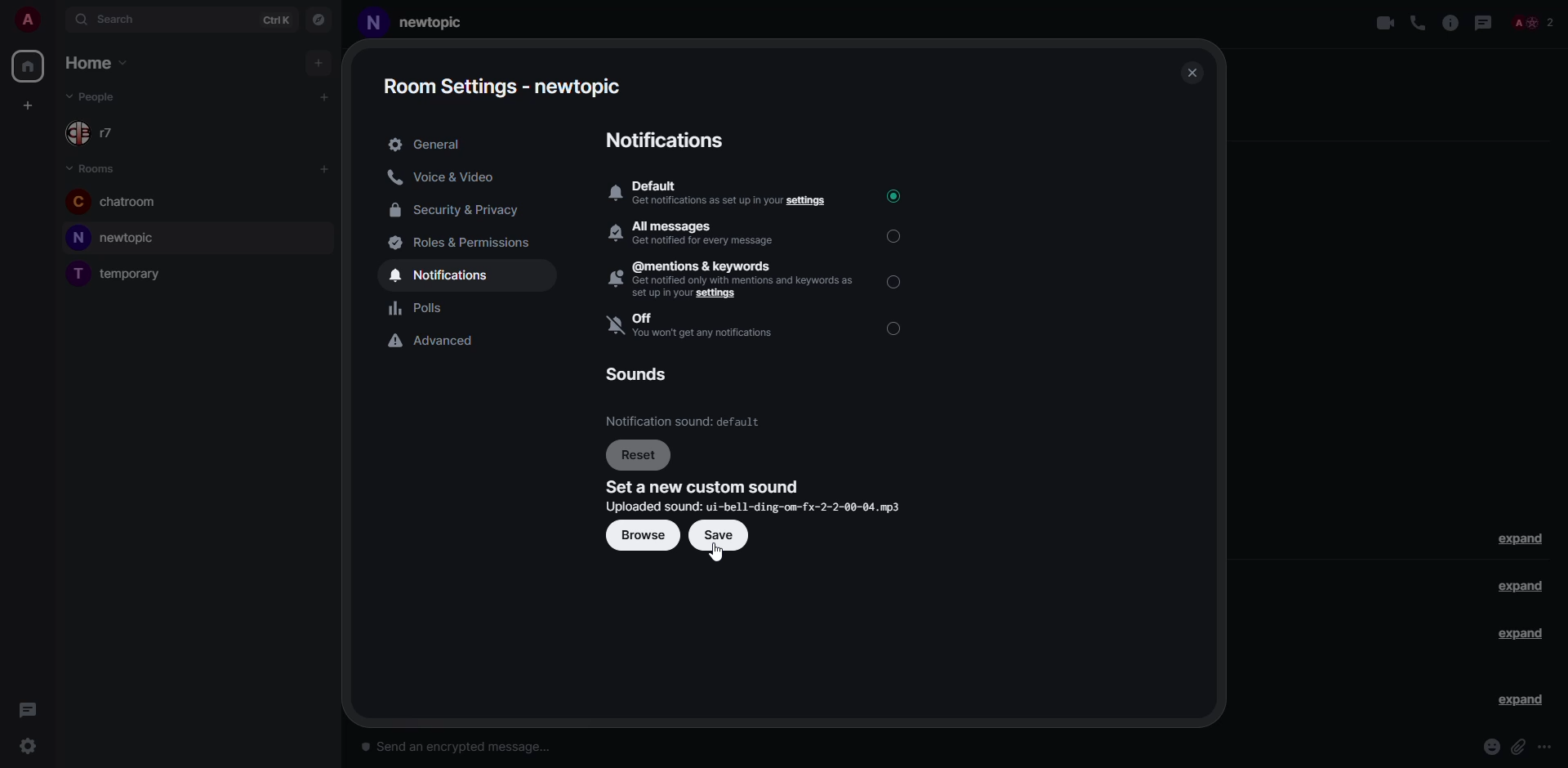  What do you see at coordinates (1491, 747) in the screenshot?
I see `emoji` at bounding box center [1491, 747].